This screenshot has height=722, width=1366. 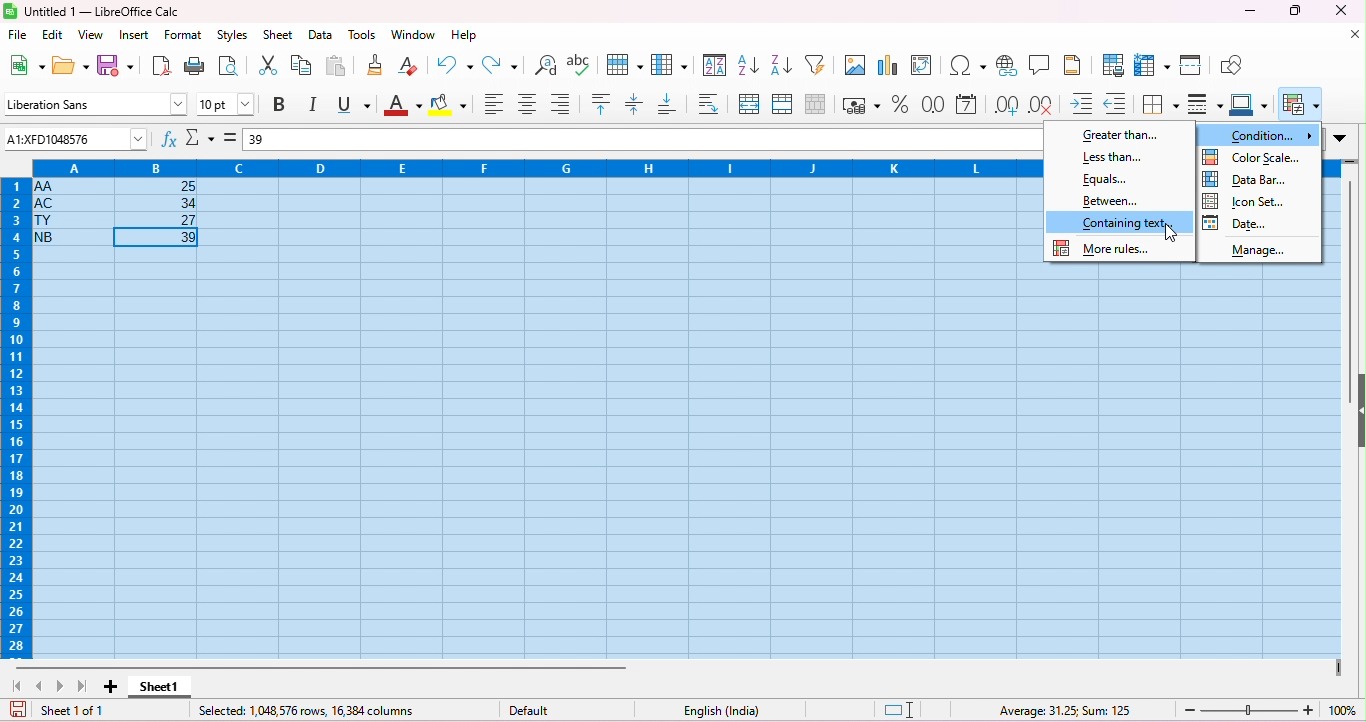 I want to click on more rules, so click(x=1128, y=250).